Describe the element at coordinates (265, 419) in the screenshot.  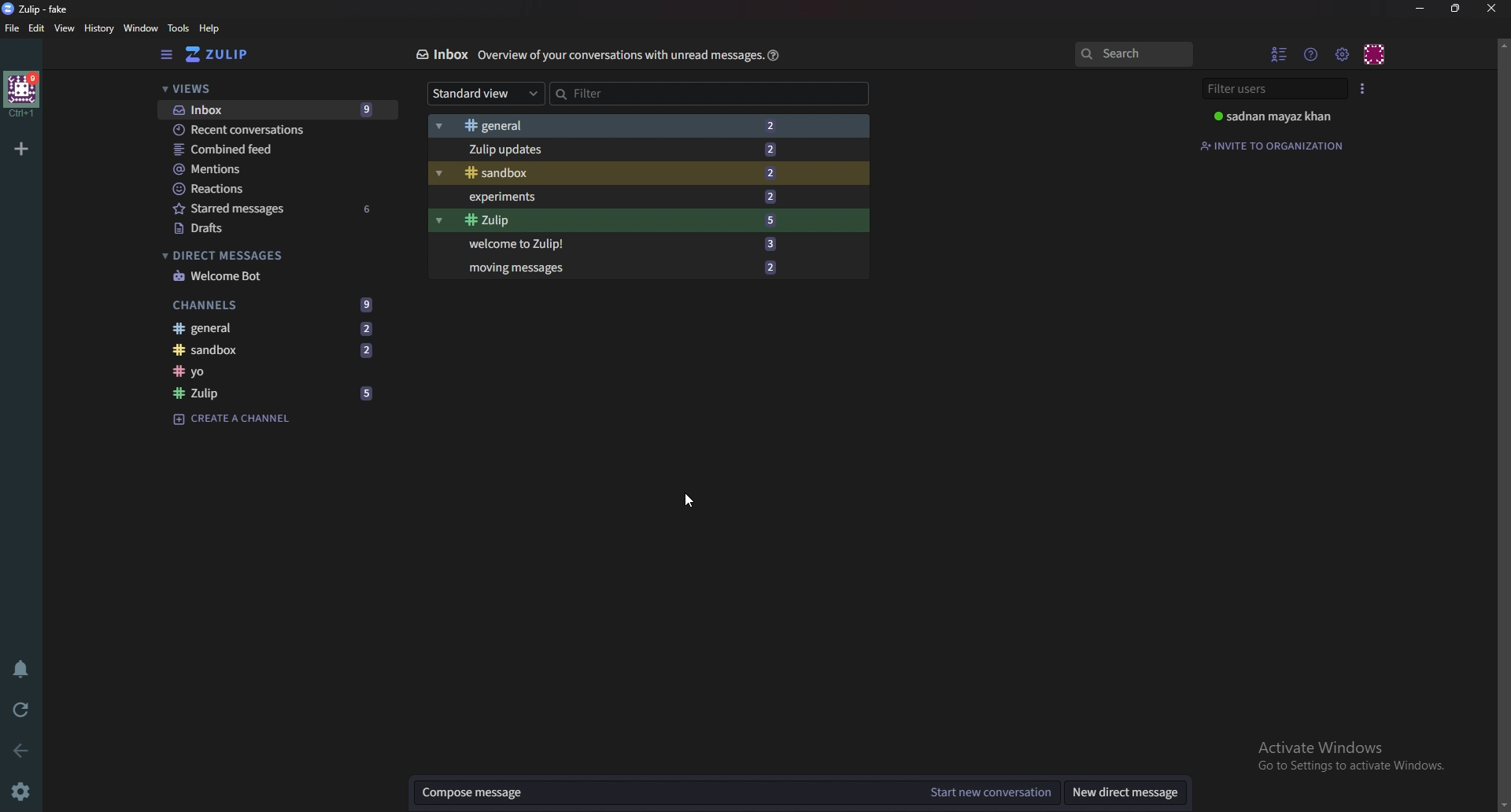
I see `Create a channel` at that location.